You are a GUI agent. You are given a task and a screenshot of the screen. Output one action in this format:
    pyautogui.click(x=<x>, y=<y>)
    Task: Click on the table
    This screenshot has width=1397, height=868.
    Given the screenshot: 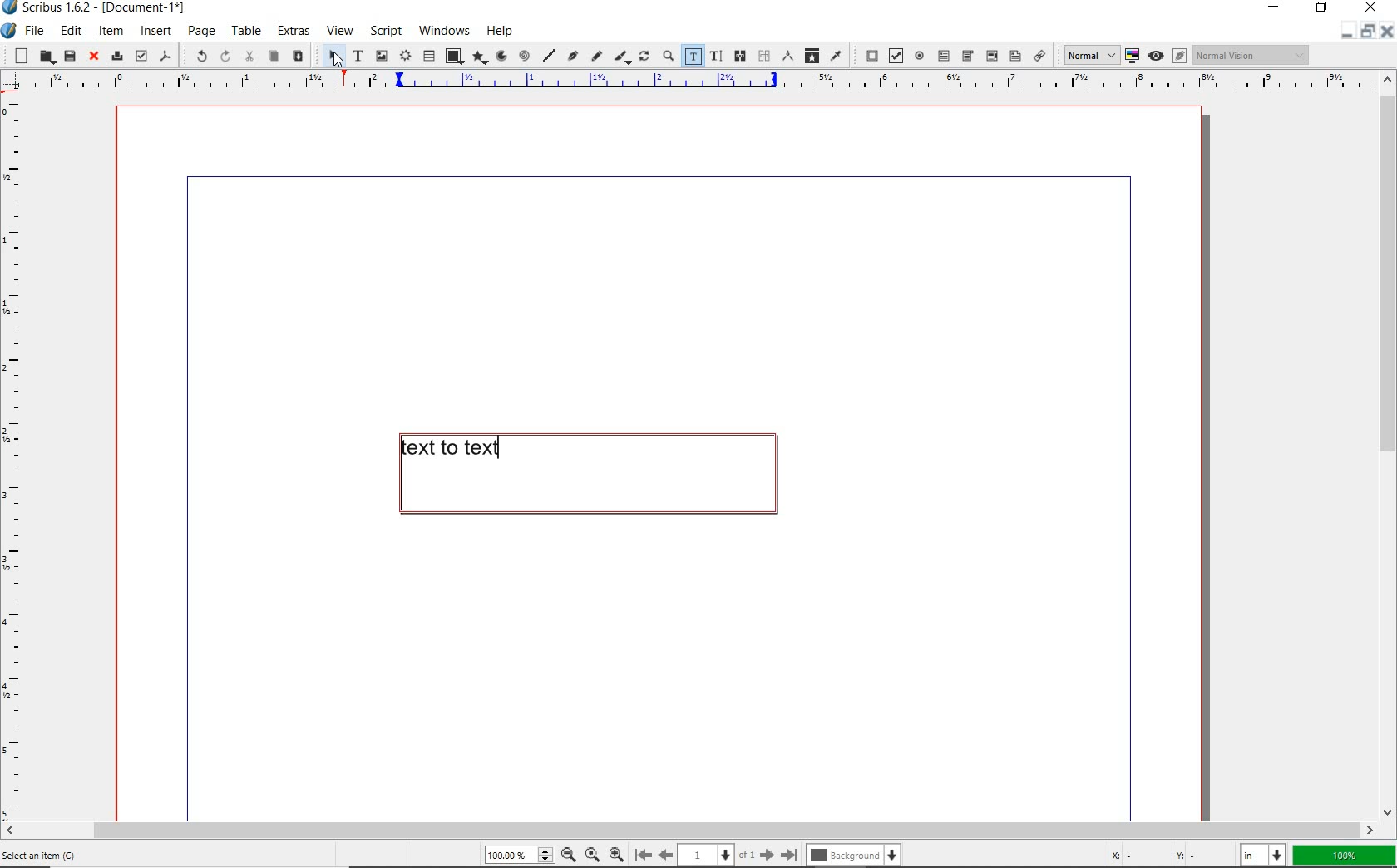 What is the action you would take?
    pyautogui.click(x=245, y=32)
    